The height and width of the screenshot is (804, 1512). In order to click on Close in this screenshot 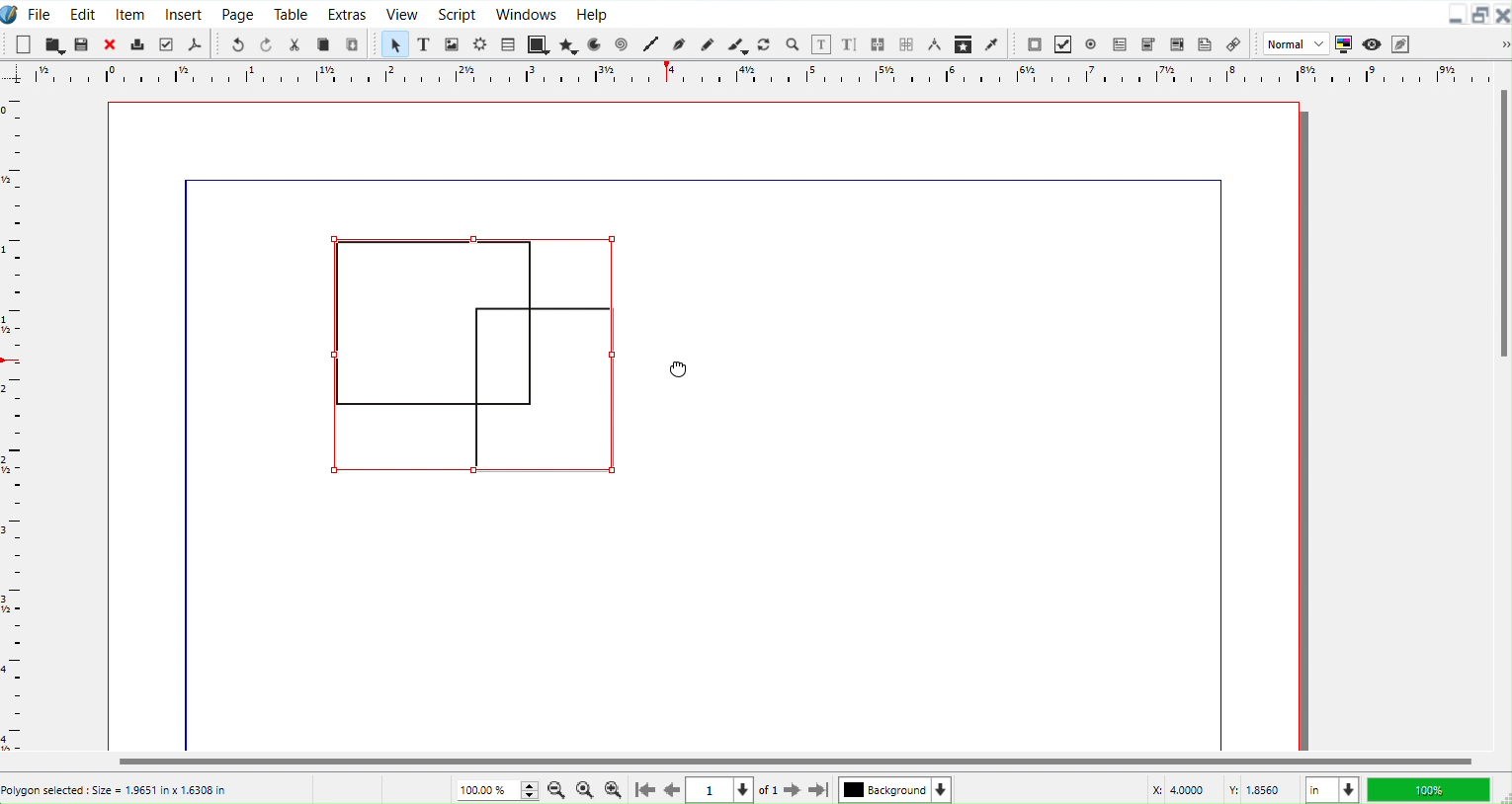, I will do `click(108, 44)`.